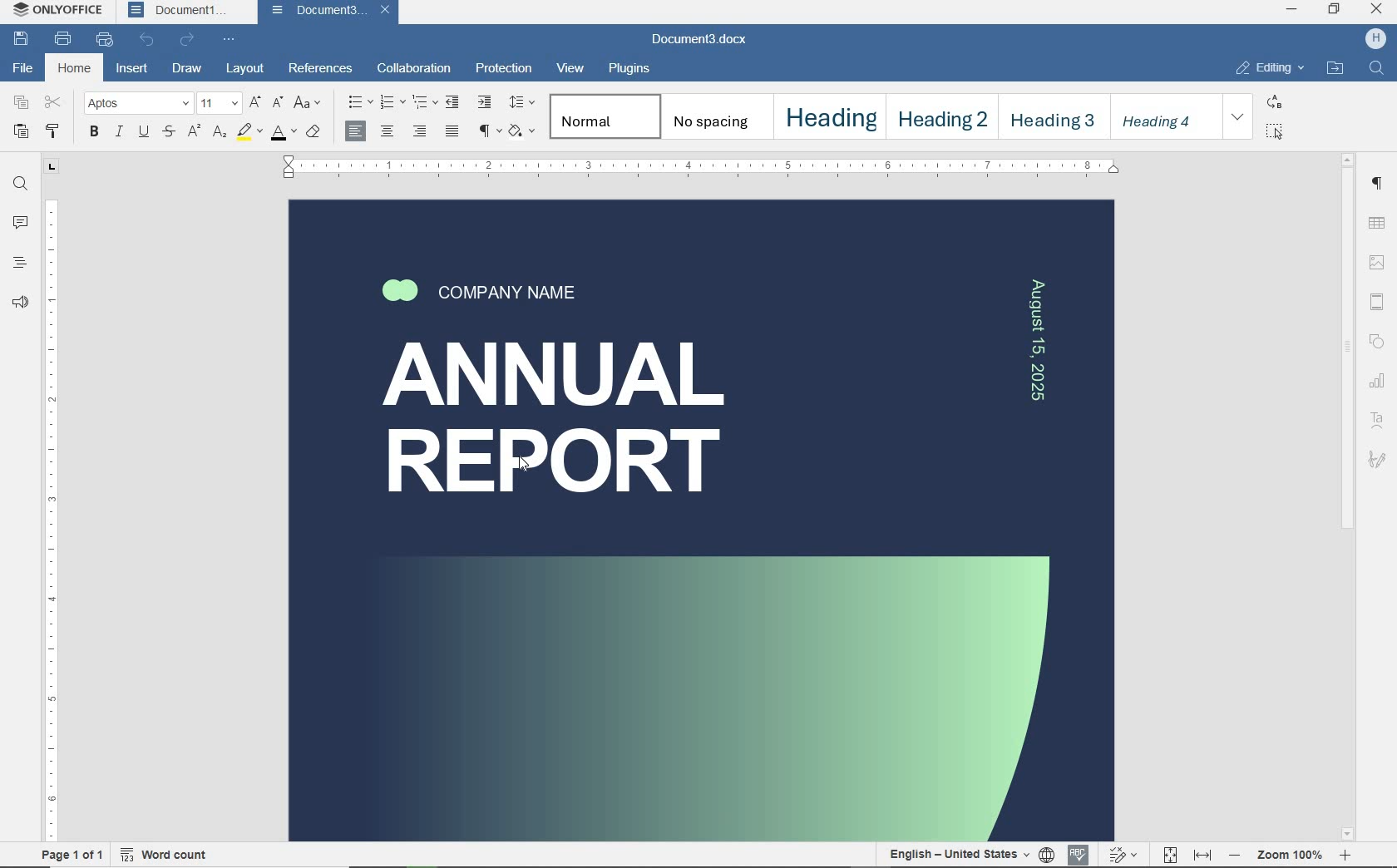  Describe the element at coordinates (220, 133) in the screenshot. I see `subscript` at that location.